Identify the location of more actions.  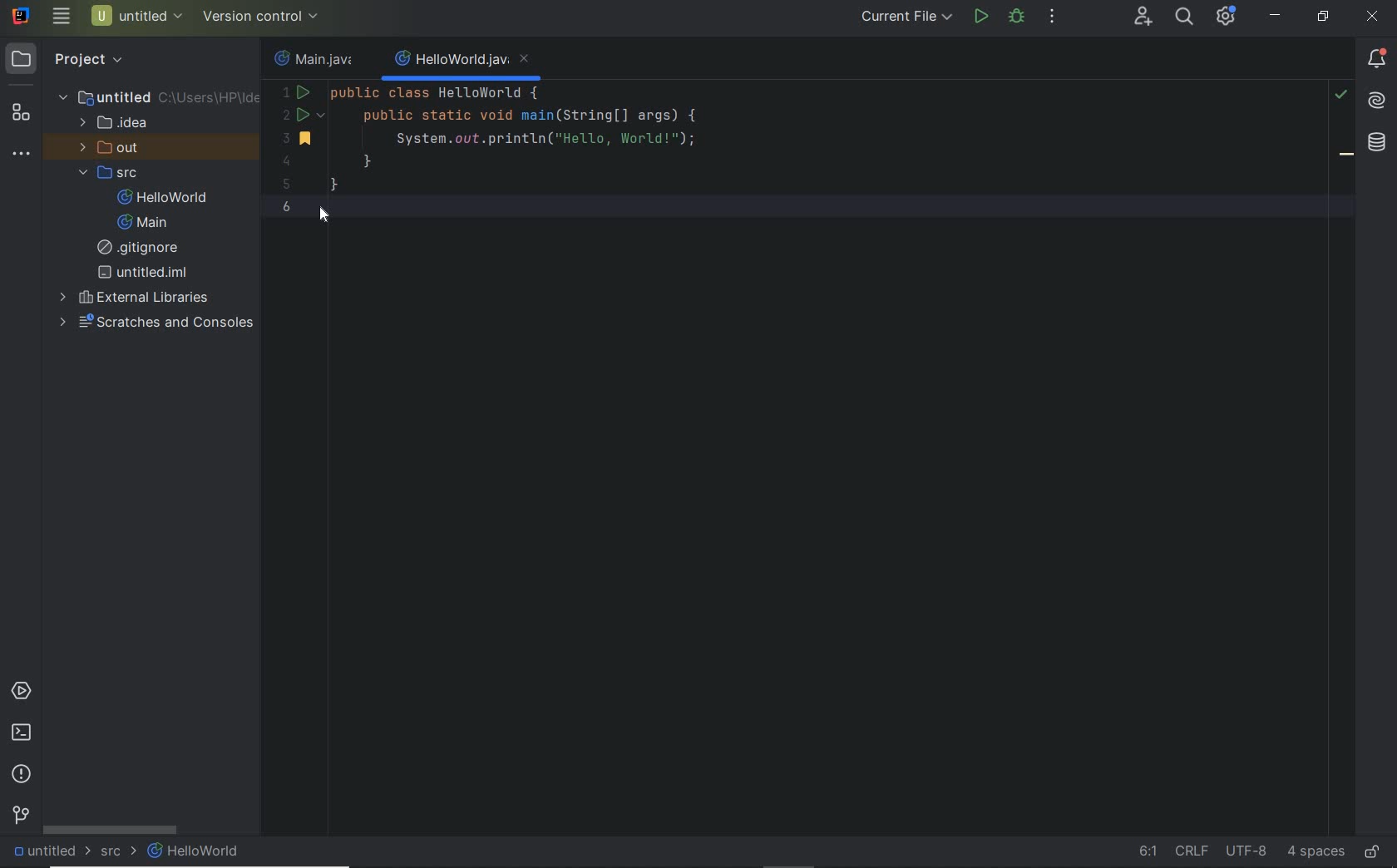
(1054, 17).